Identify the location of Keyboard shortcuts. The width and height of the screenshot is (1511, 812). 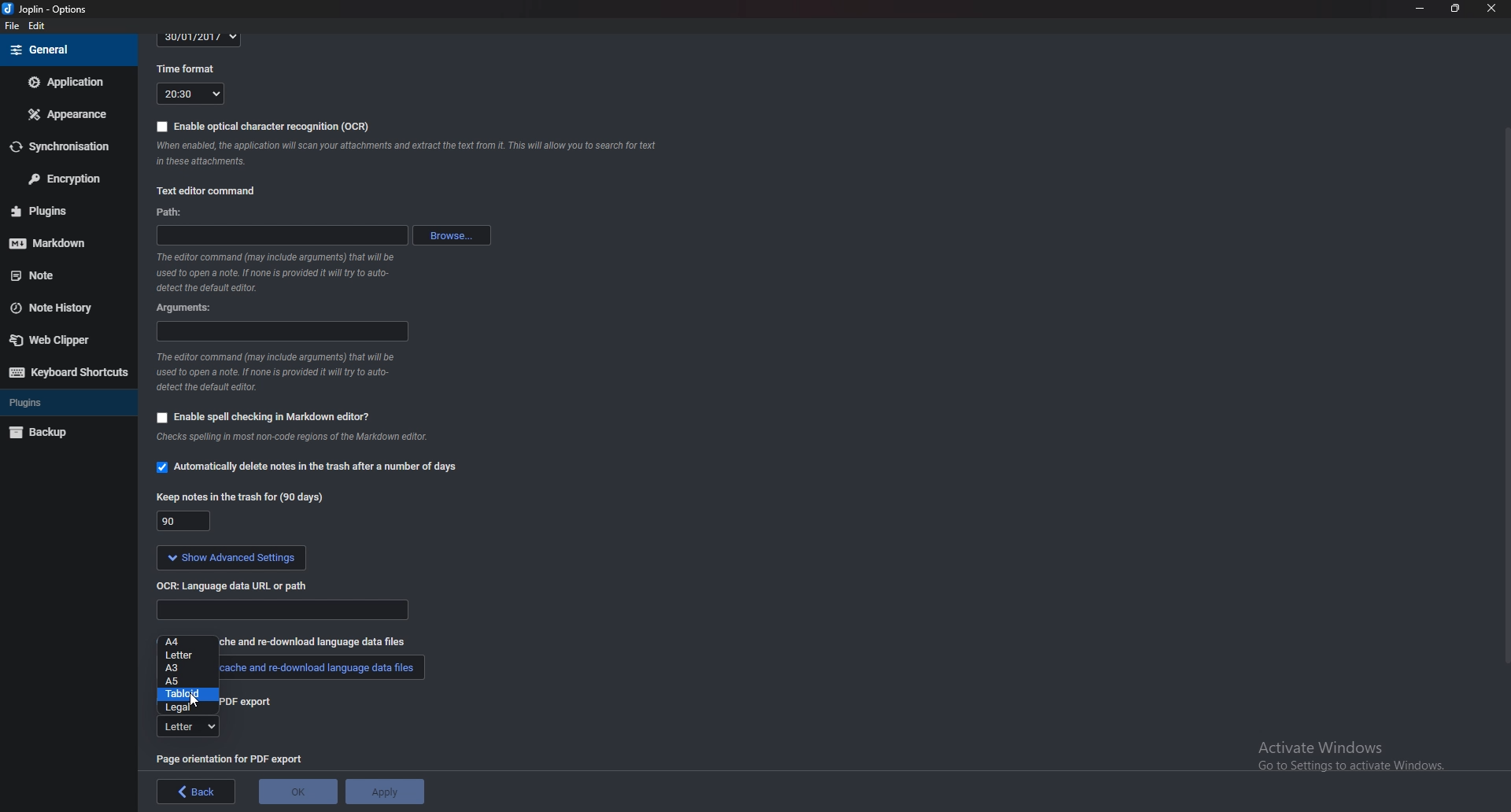
(68, 372).